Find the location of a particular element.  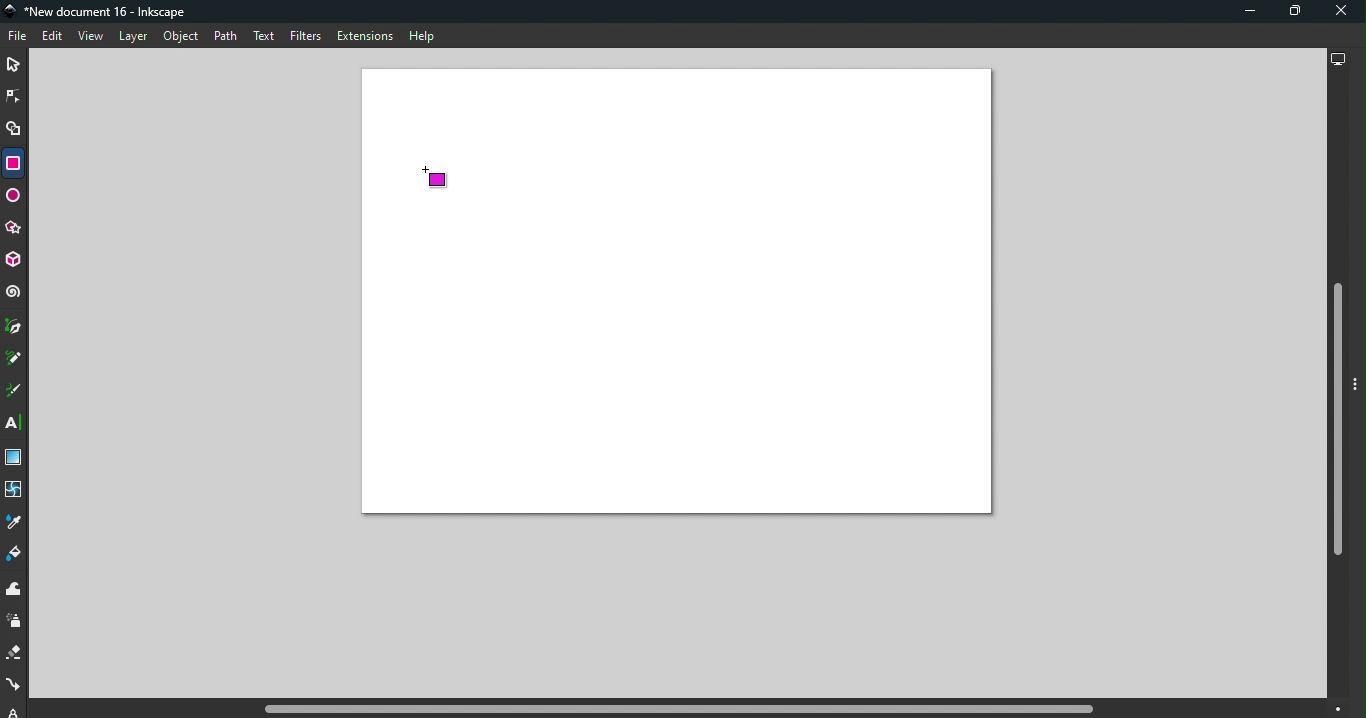

Star/polygon tool is located at coordinates (15, 229).